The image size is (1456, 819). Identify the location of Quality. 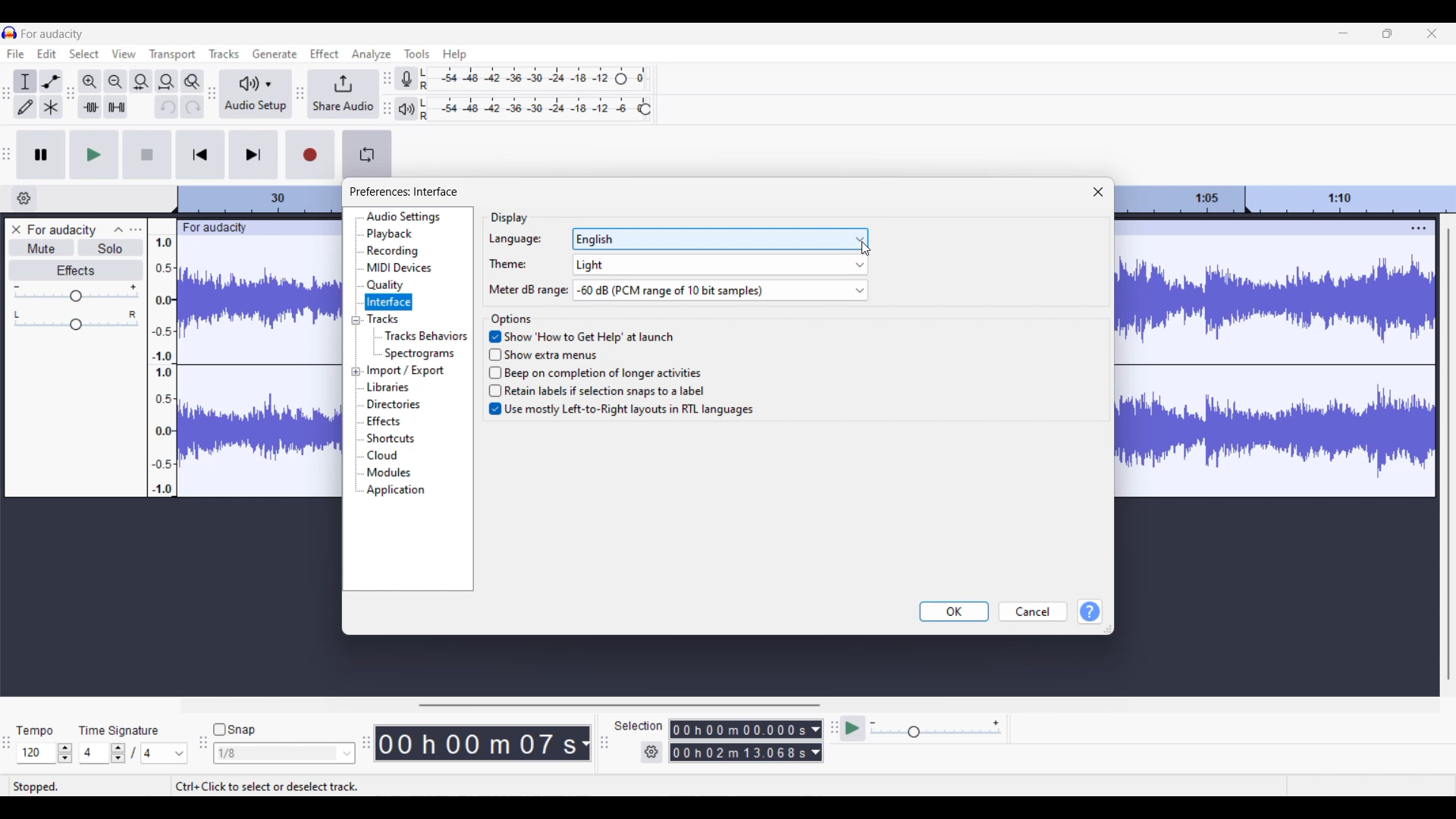
(385, 285).